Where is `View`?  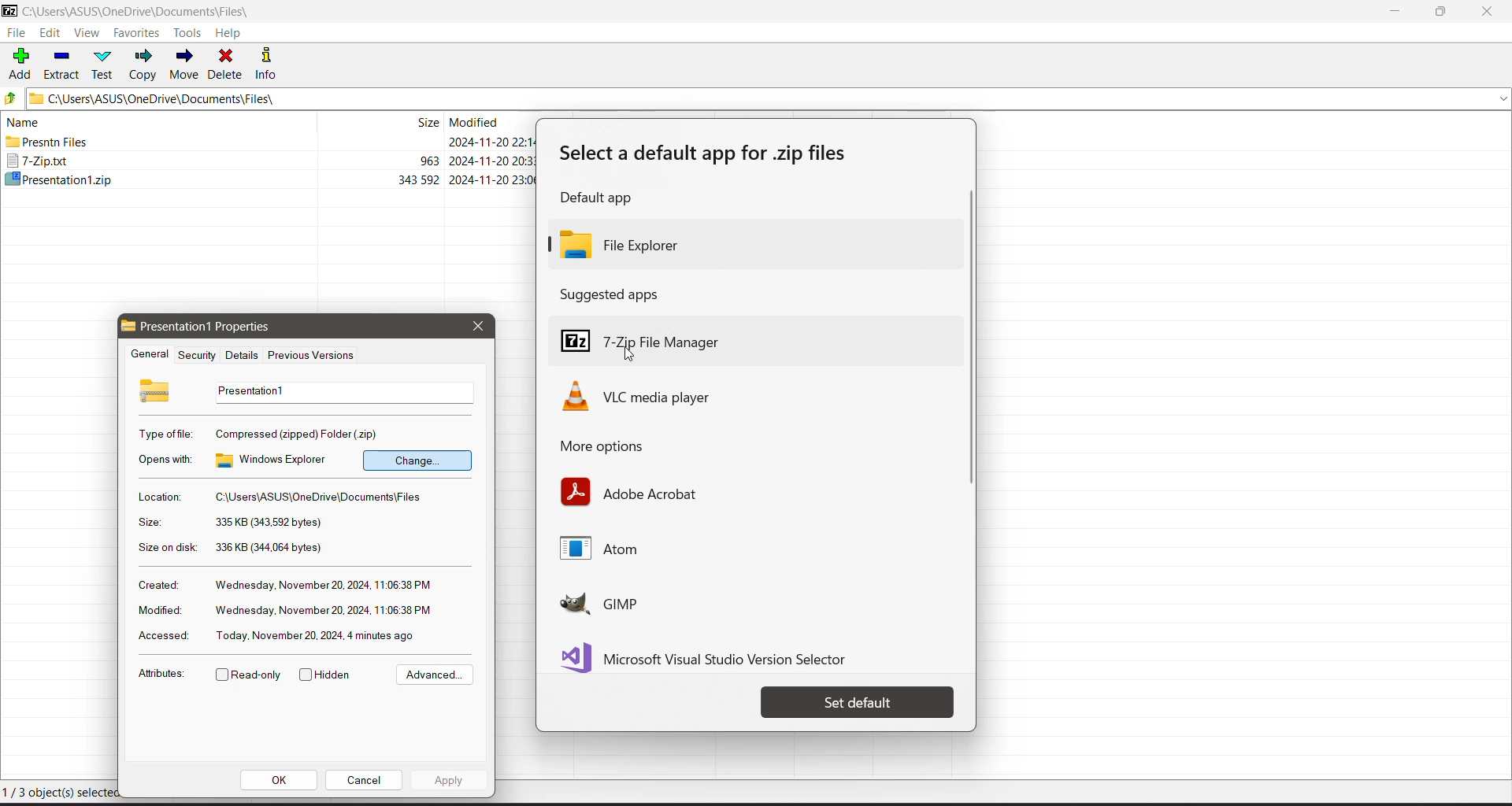
View is located at coordinates (87, 34).